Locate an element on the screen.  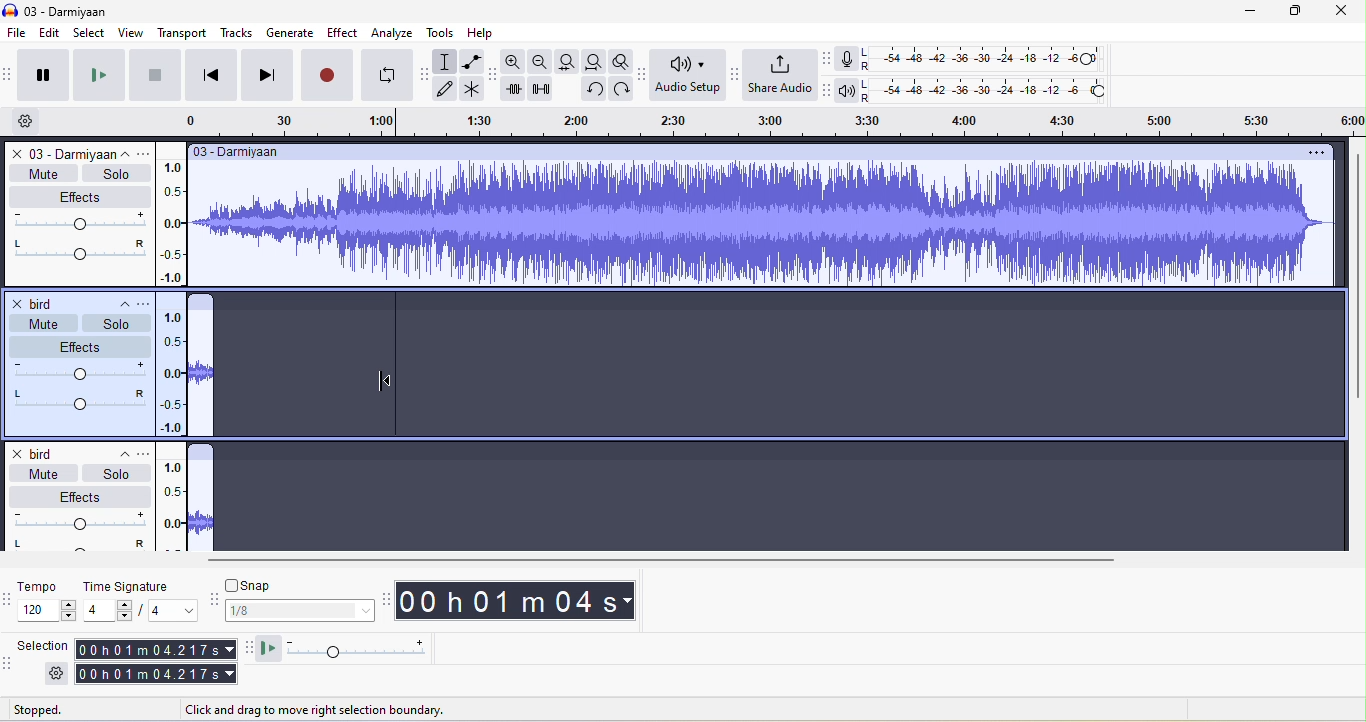
playback level is located at coordinates (988, 90).